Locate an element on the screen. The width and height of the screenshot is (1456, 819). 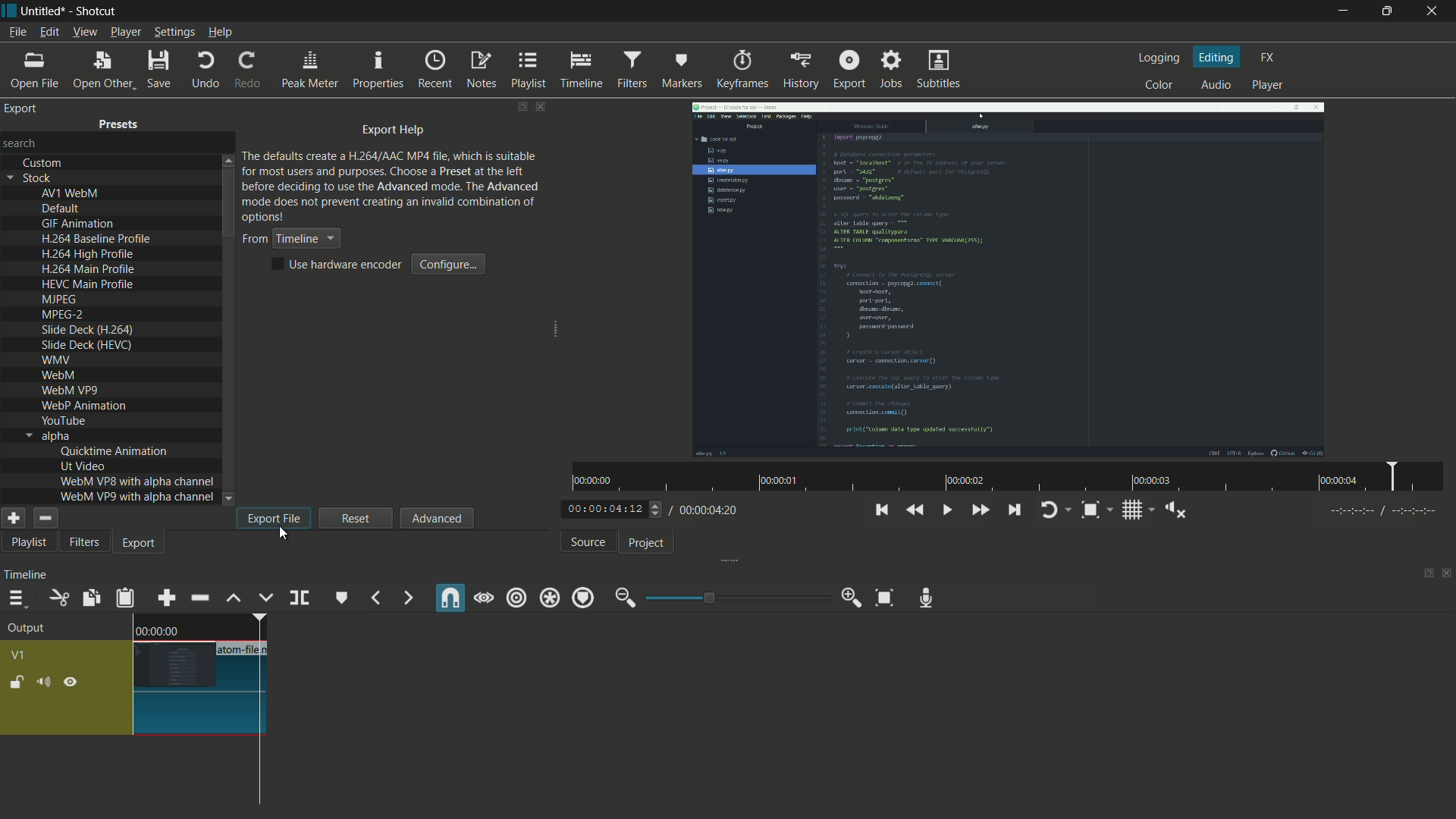
peak meter is located at coordinates (310, 71).